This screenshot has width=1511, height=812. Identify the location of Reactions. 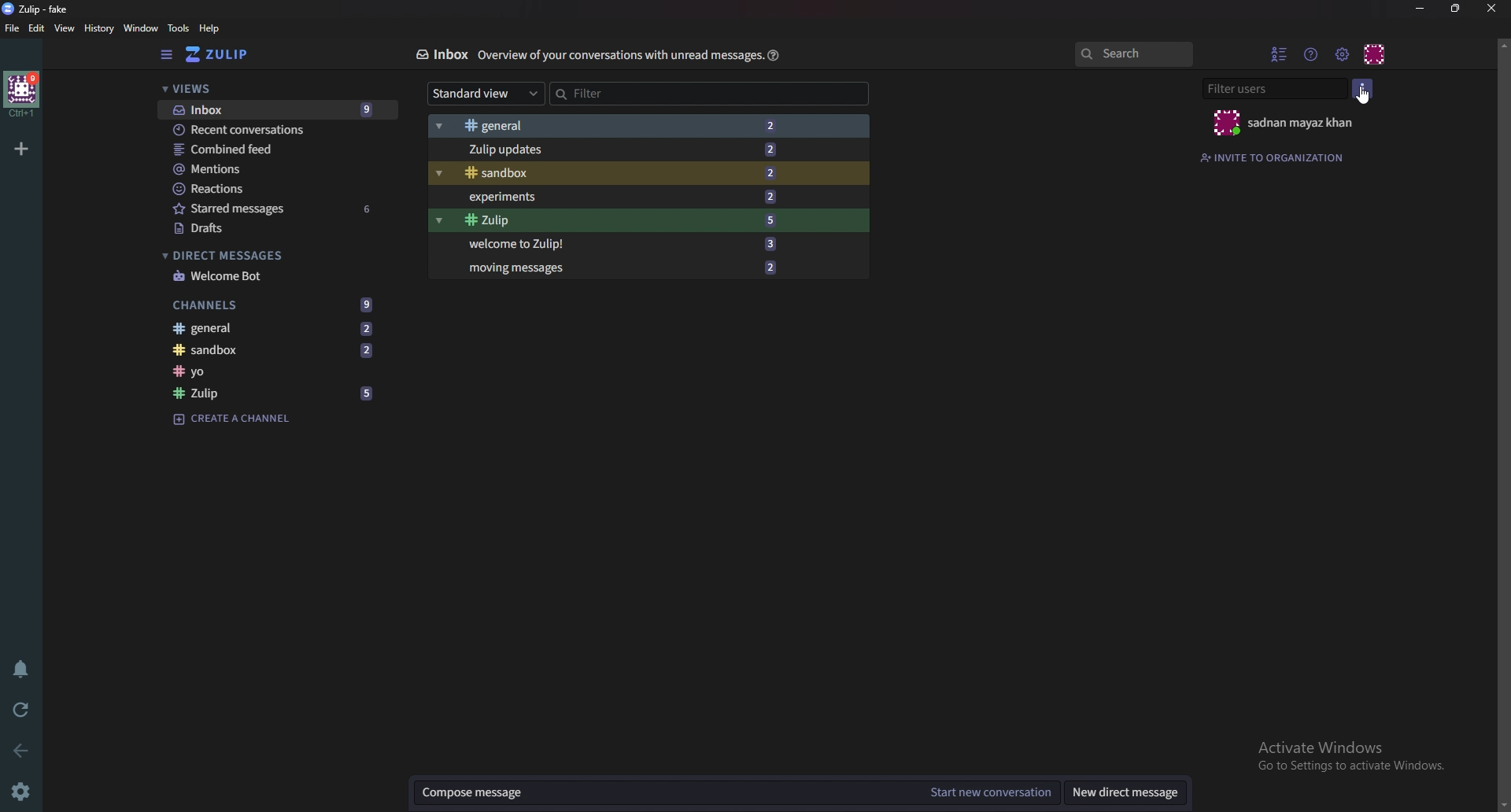
(259, 189).